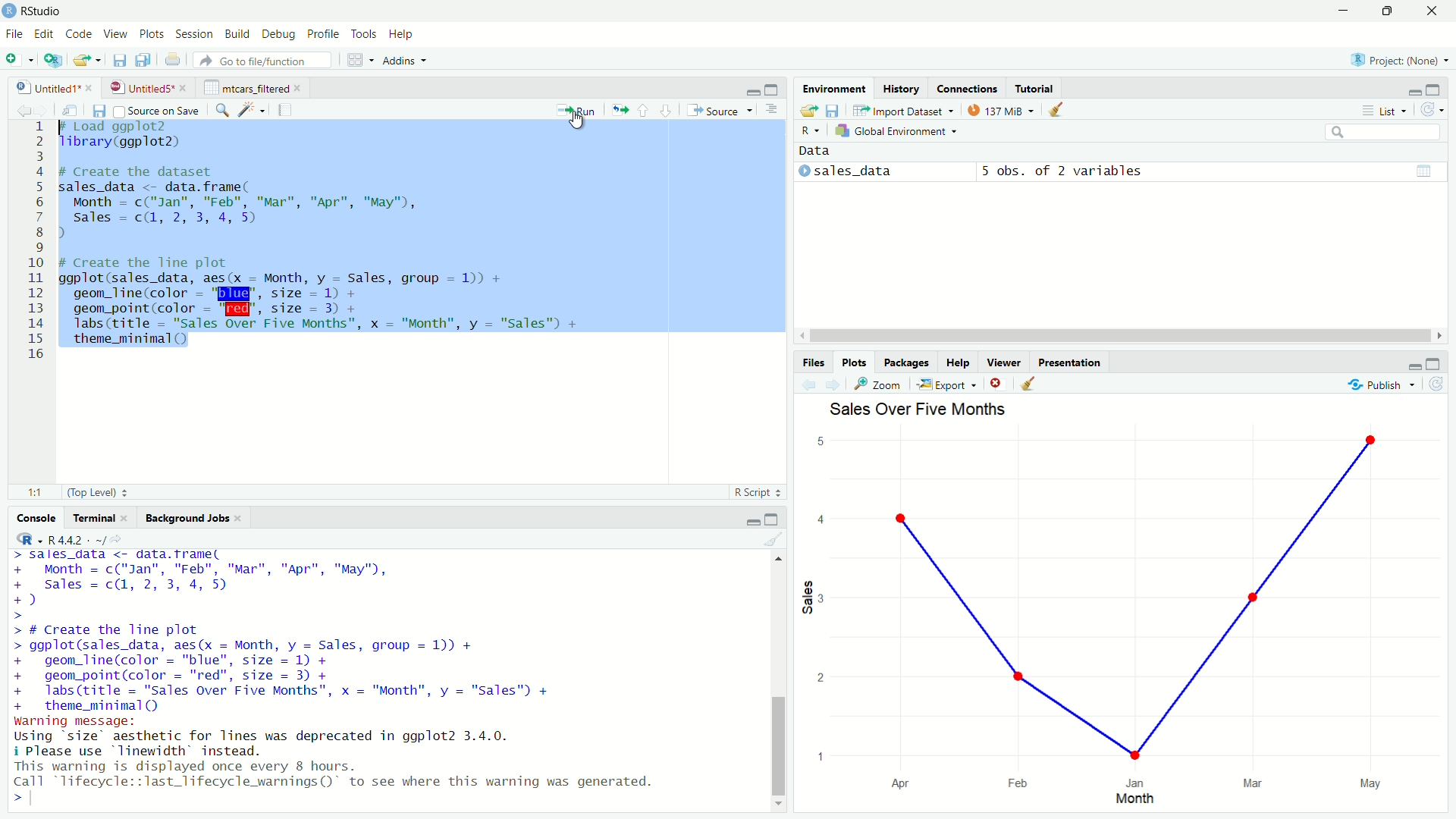  What do you see at coordinates (285, 109) in the screenshot?
I see `compile reports` at bounding box center [285, 109].